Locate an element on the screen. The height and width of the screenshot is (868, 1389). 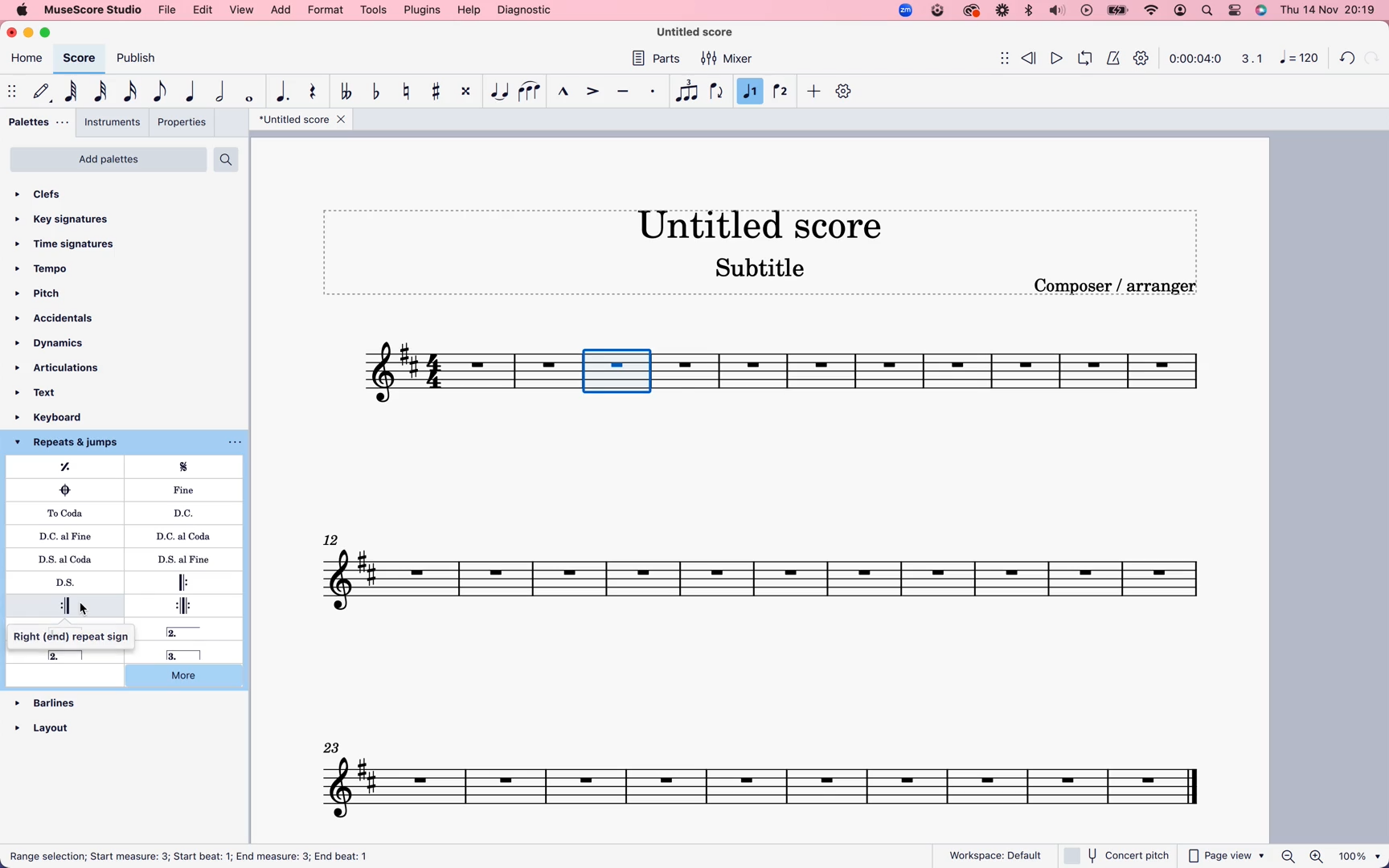
toggle natural is located at coordinates (409, 92).